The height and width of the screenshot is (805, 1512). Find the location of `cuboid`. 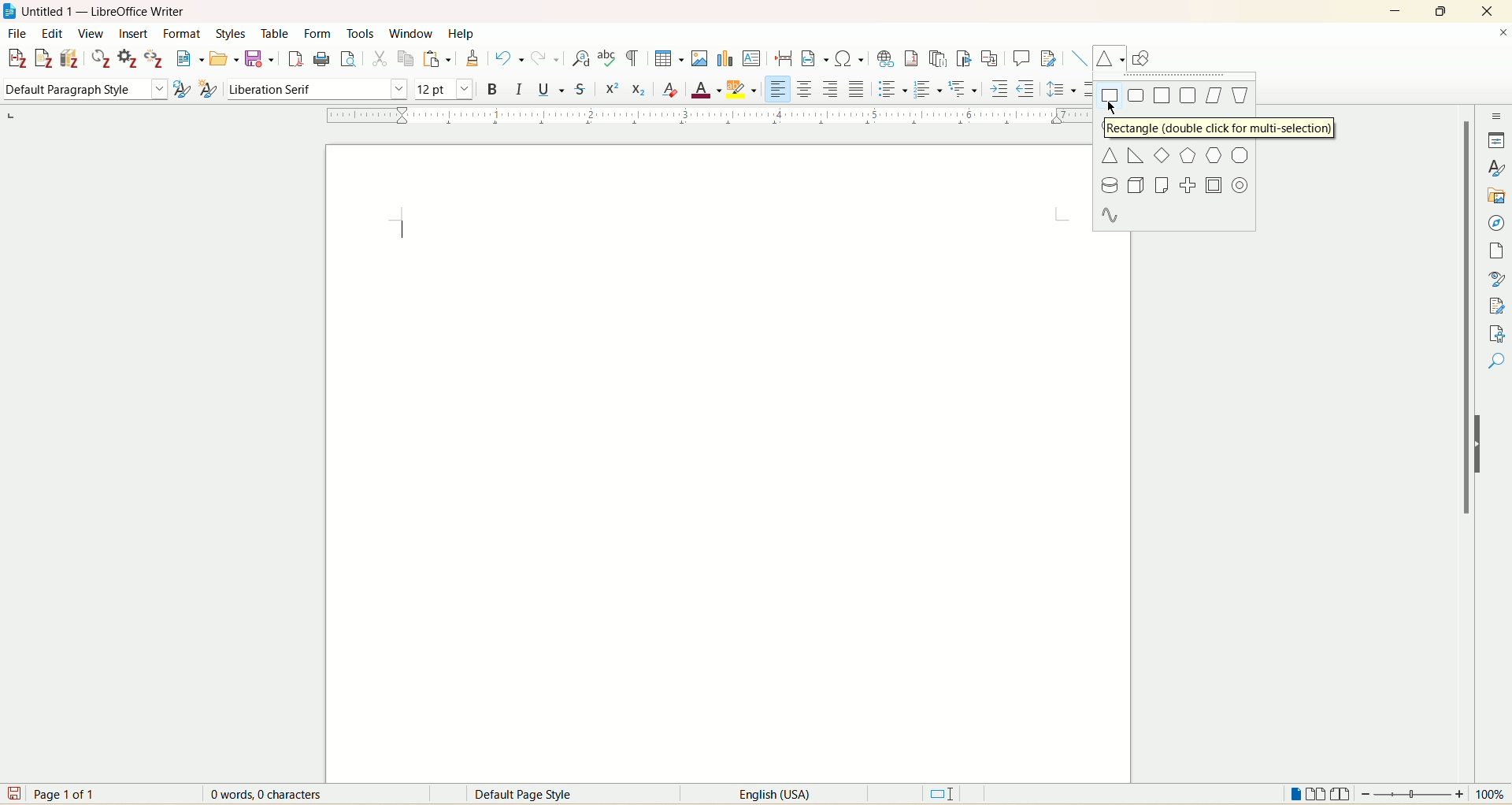

cuboid is located at coordinates (1136, 185).